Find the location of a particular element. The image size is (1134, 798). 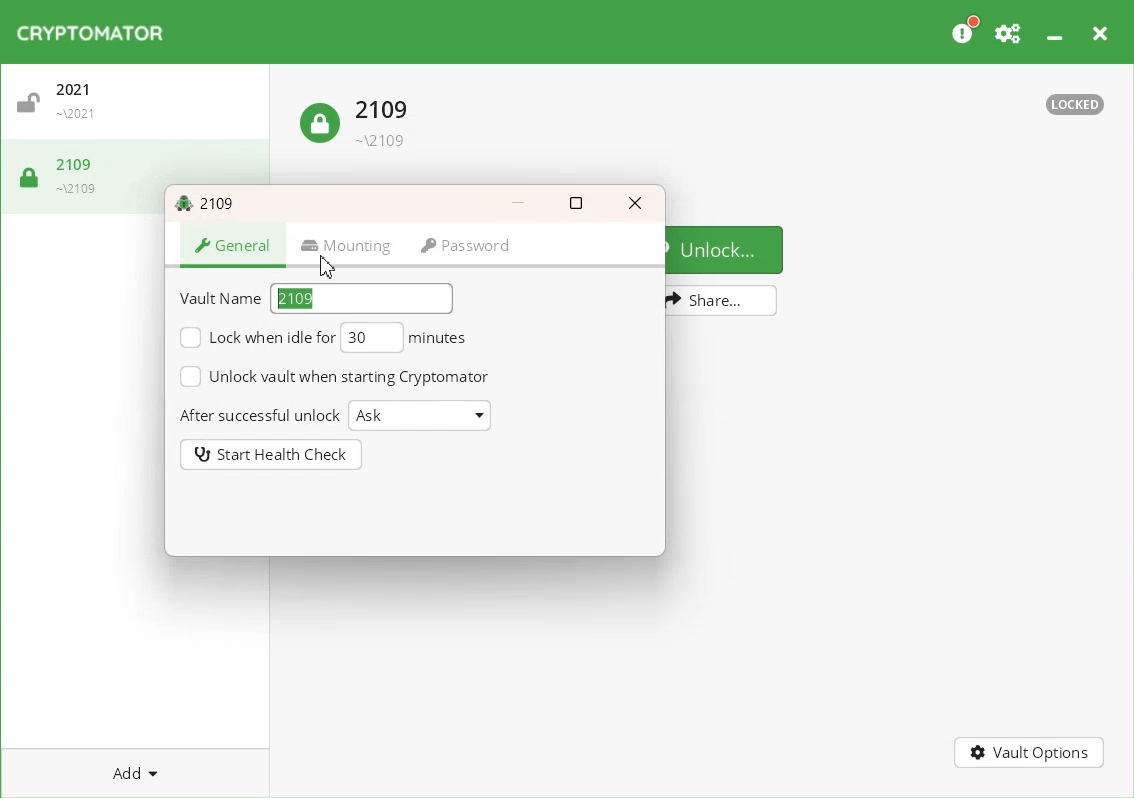

Please Consider donating is located at coordinates (965, 31).